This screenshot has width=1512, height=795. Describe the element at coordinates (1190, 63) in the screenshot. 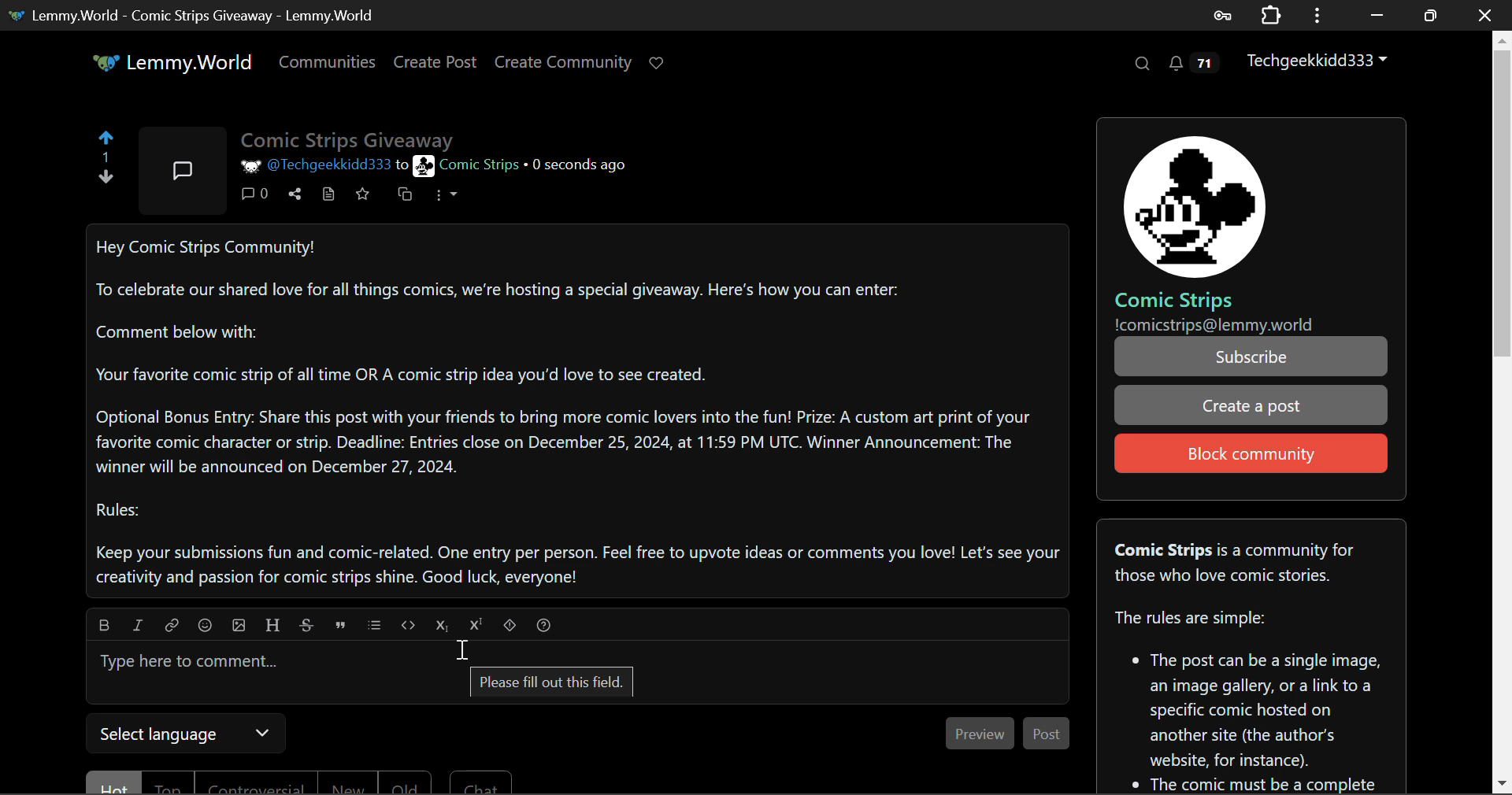

I see `Notifications` at that location.